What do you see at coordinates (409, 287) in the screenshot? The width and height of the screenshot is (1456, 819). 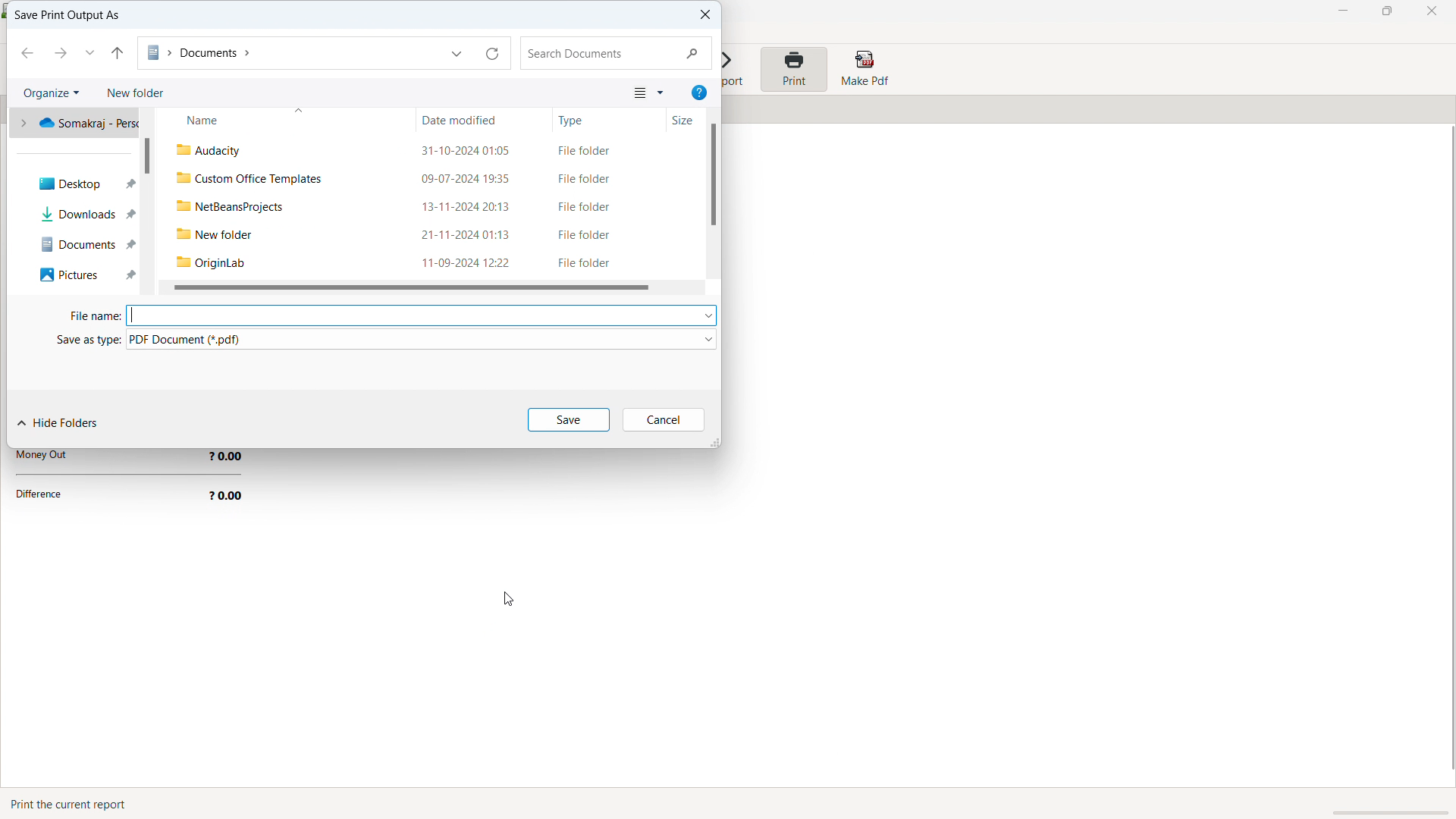 I see `horizontal scrollbar` at bounding box center [409, 287].